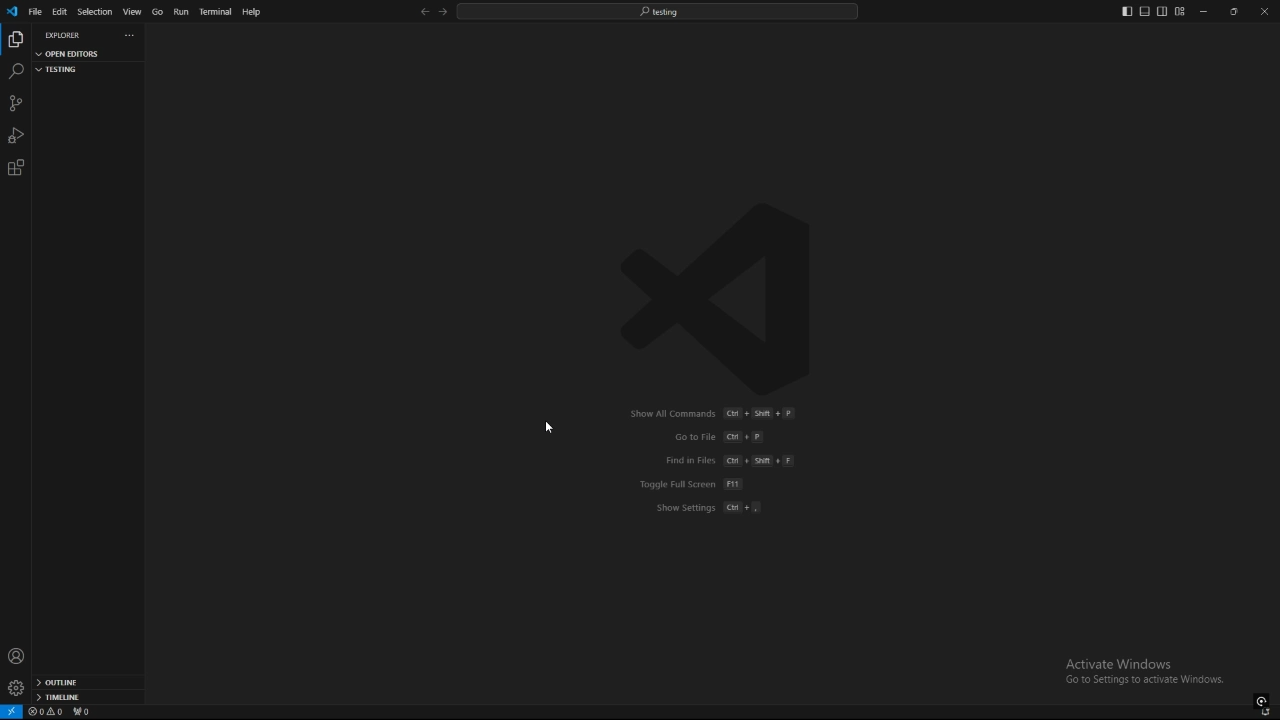  I want to click on Toggle Full Screen F11, so click(683, 484).